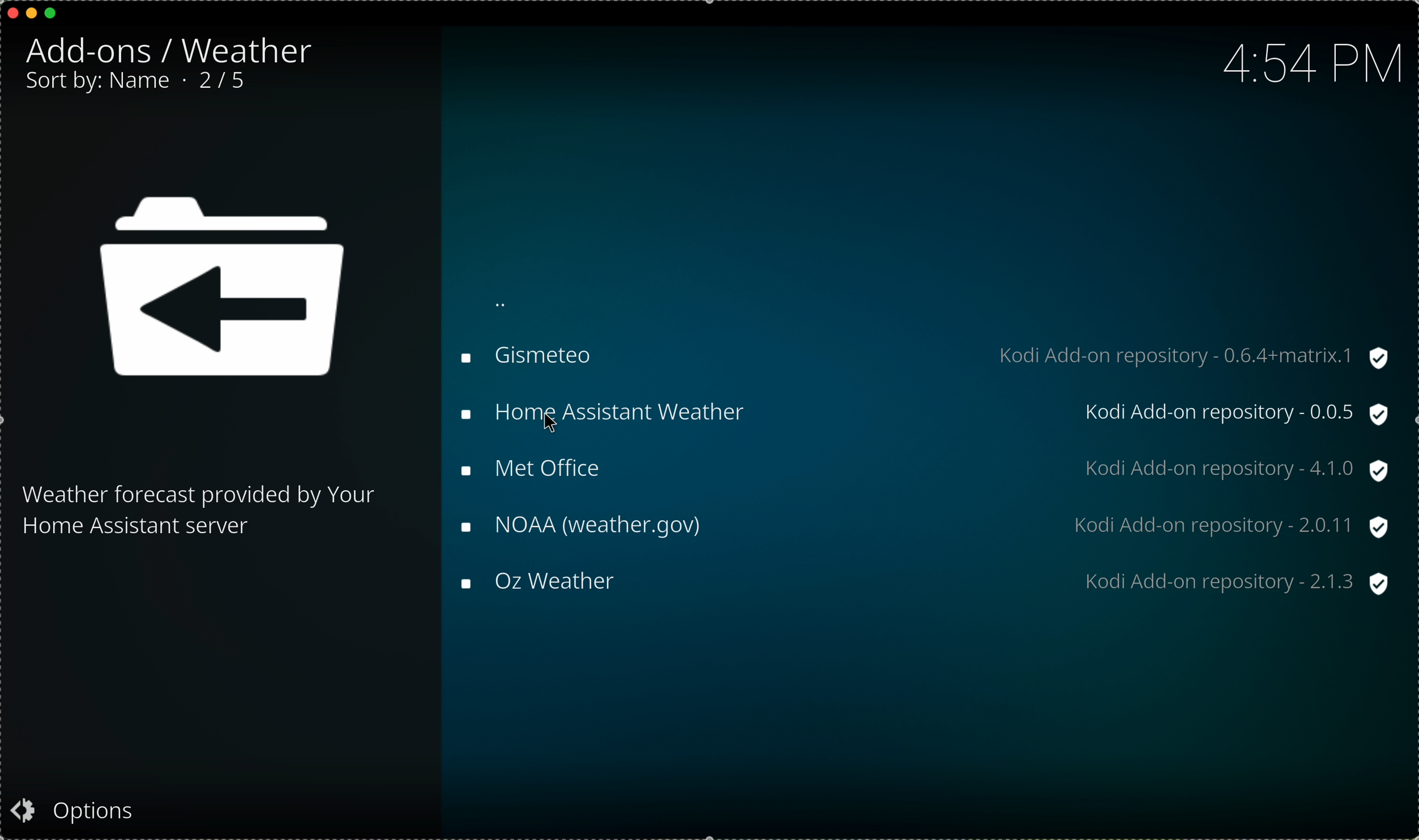 Image resolution: width=1419 pixels, height=840 pixels. Describe the element at coordinates (924, 586) in the screenshot. I see `Oz weather` at that location.